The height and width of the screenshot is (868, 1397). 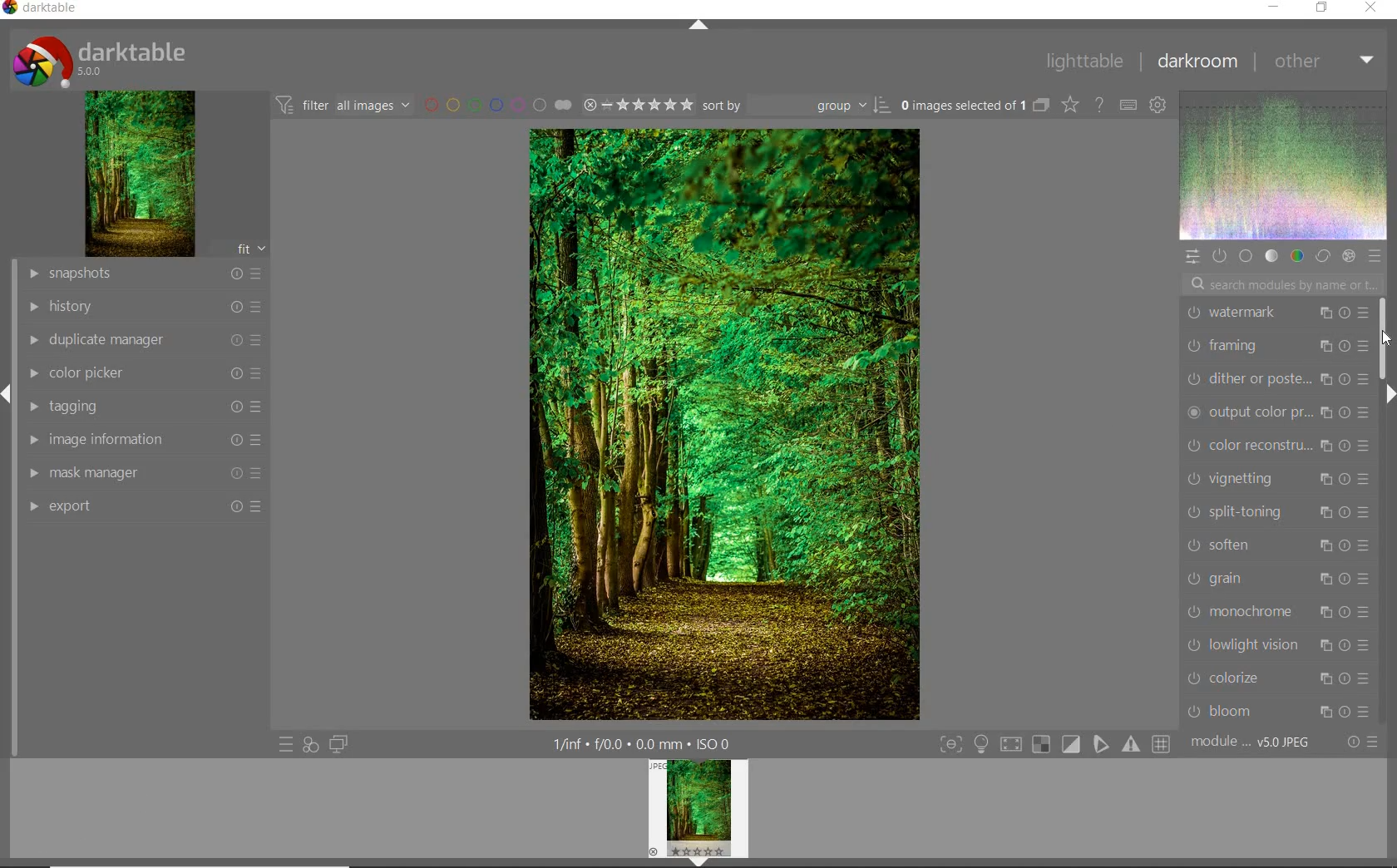 What do you see at coordinates (1098, 105) in the screenshot?
I see `ENABLE FOR ONLINE HELP` at bounding box center [1098, 105].